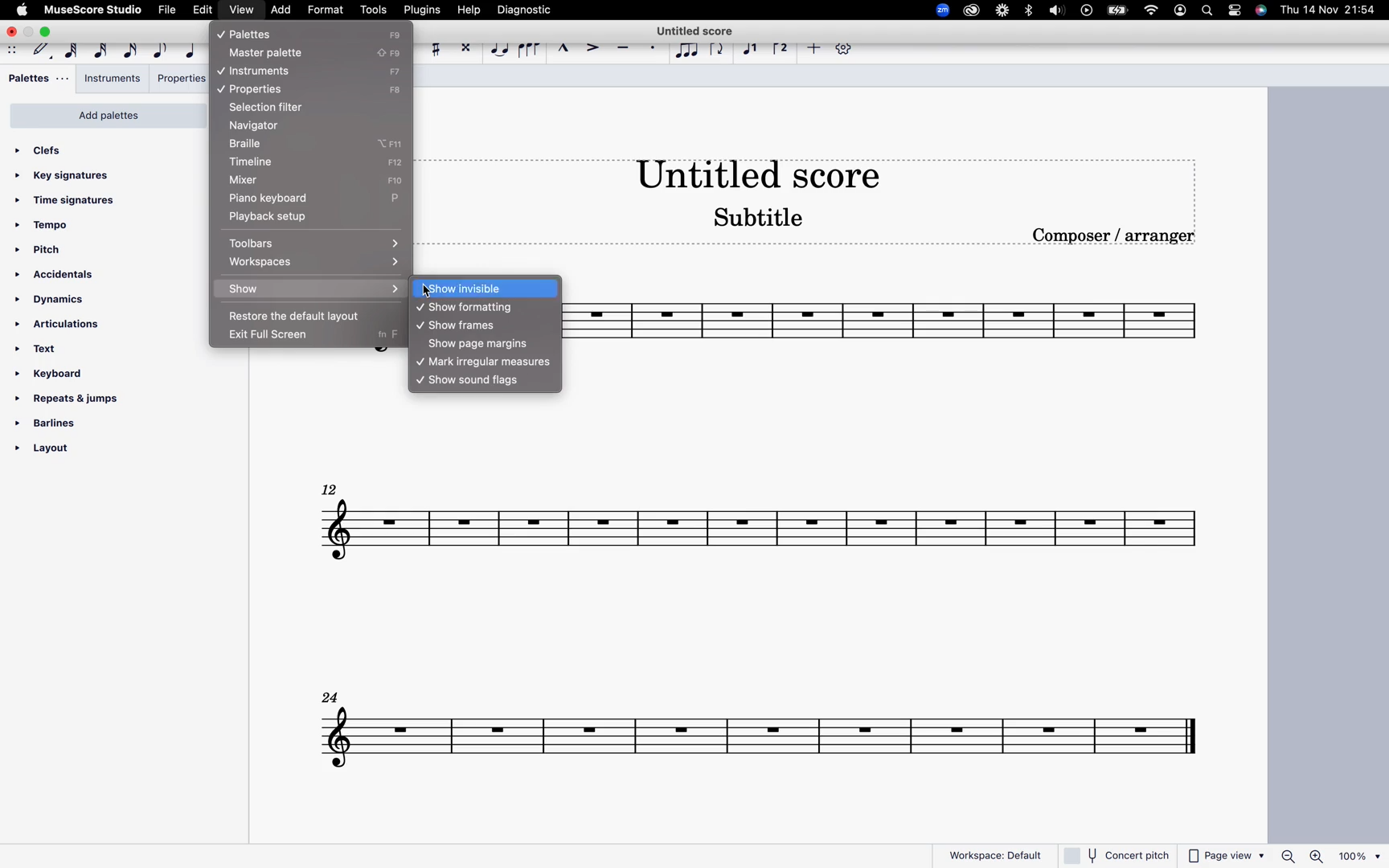  What do you see at coordinates (387, 338) in the screenshot?
I see `fn F` at bounding box center [387, 338].